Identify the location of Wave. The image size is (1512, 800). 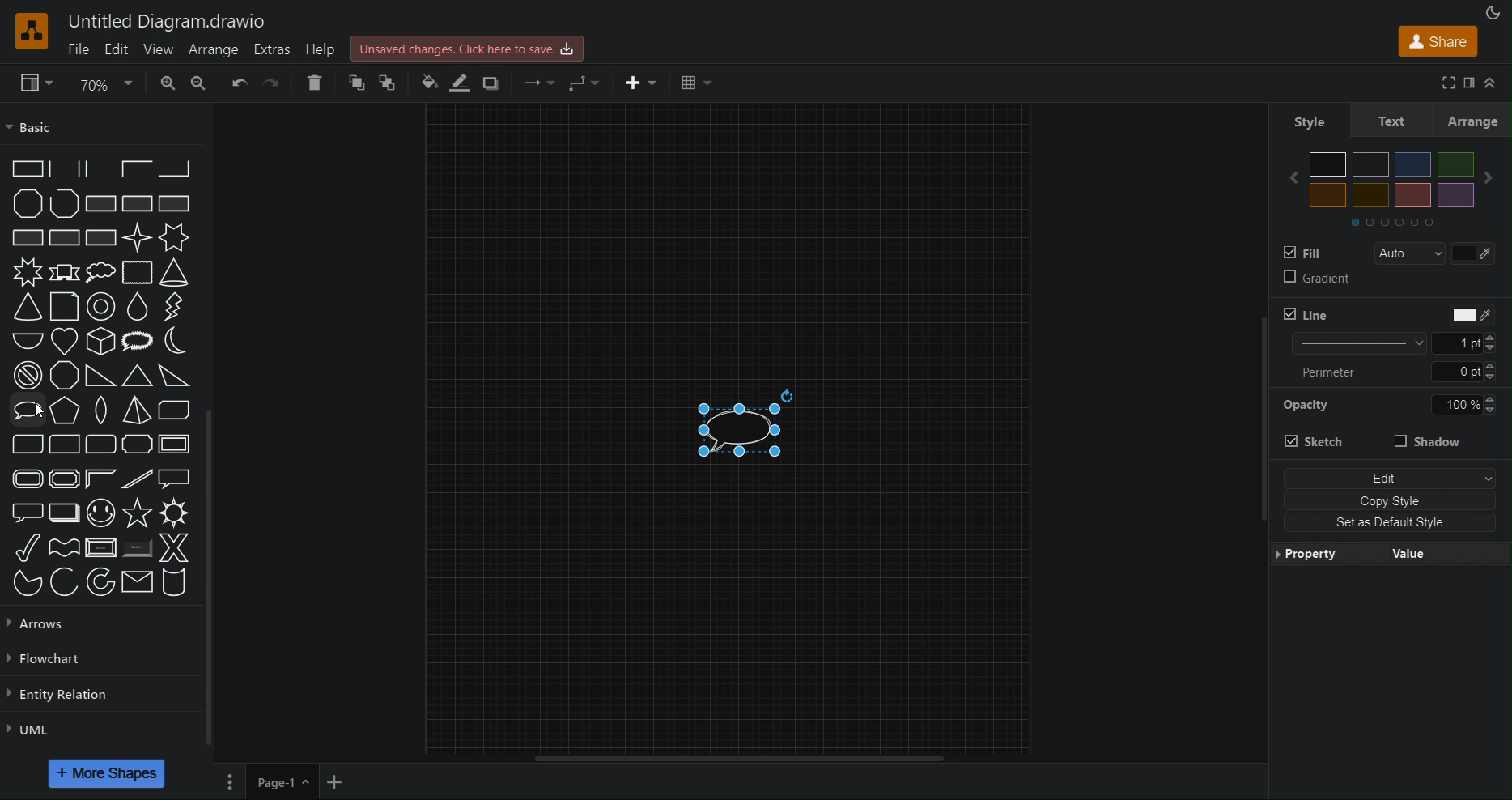
(63, 547).